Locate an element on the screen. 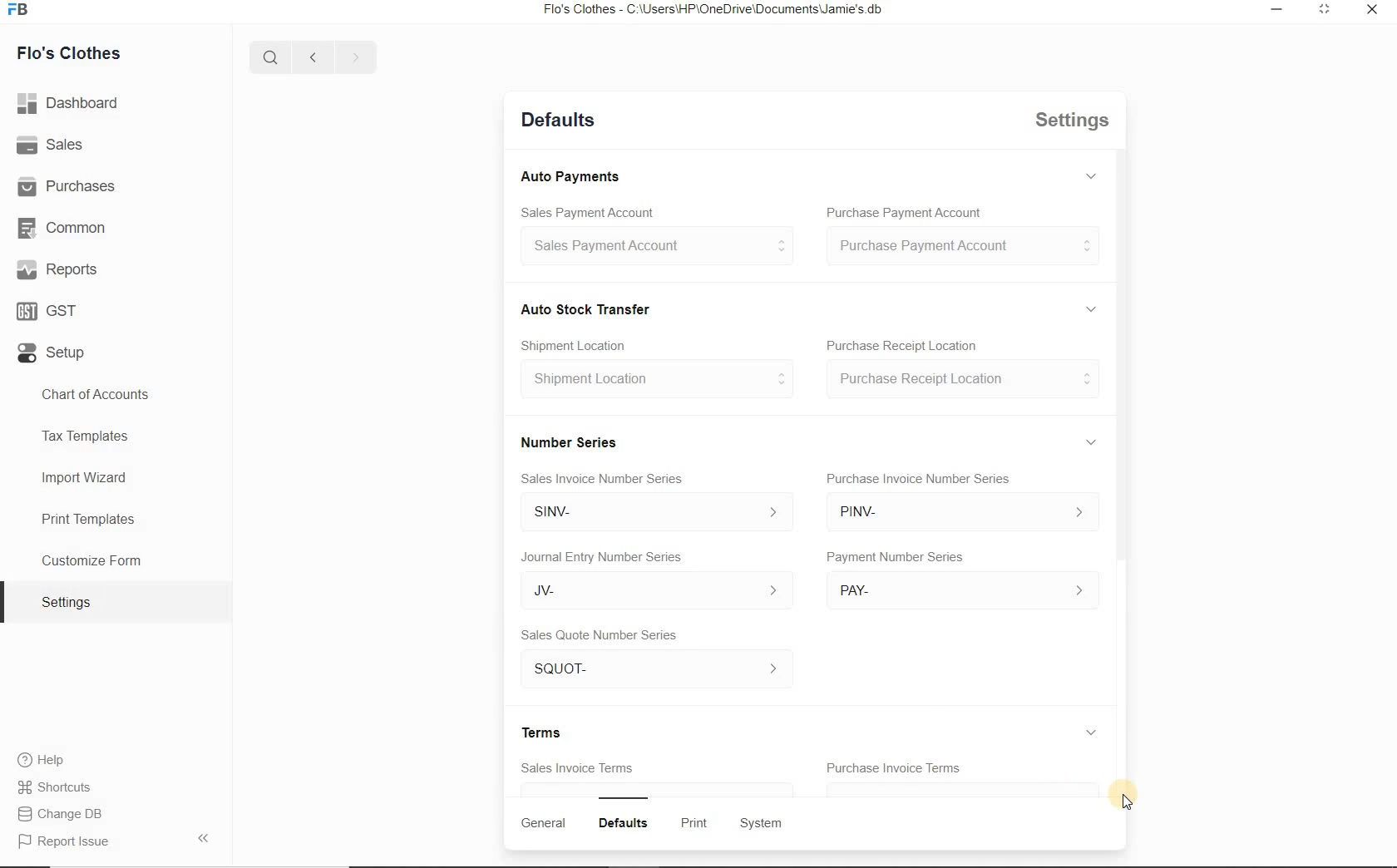  Tax Templates is located at coordinates (91, 435).